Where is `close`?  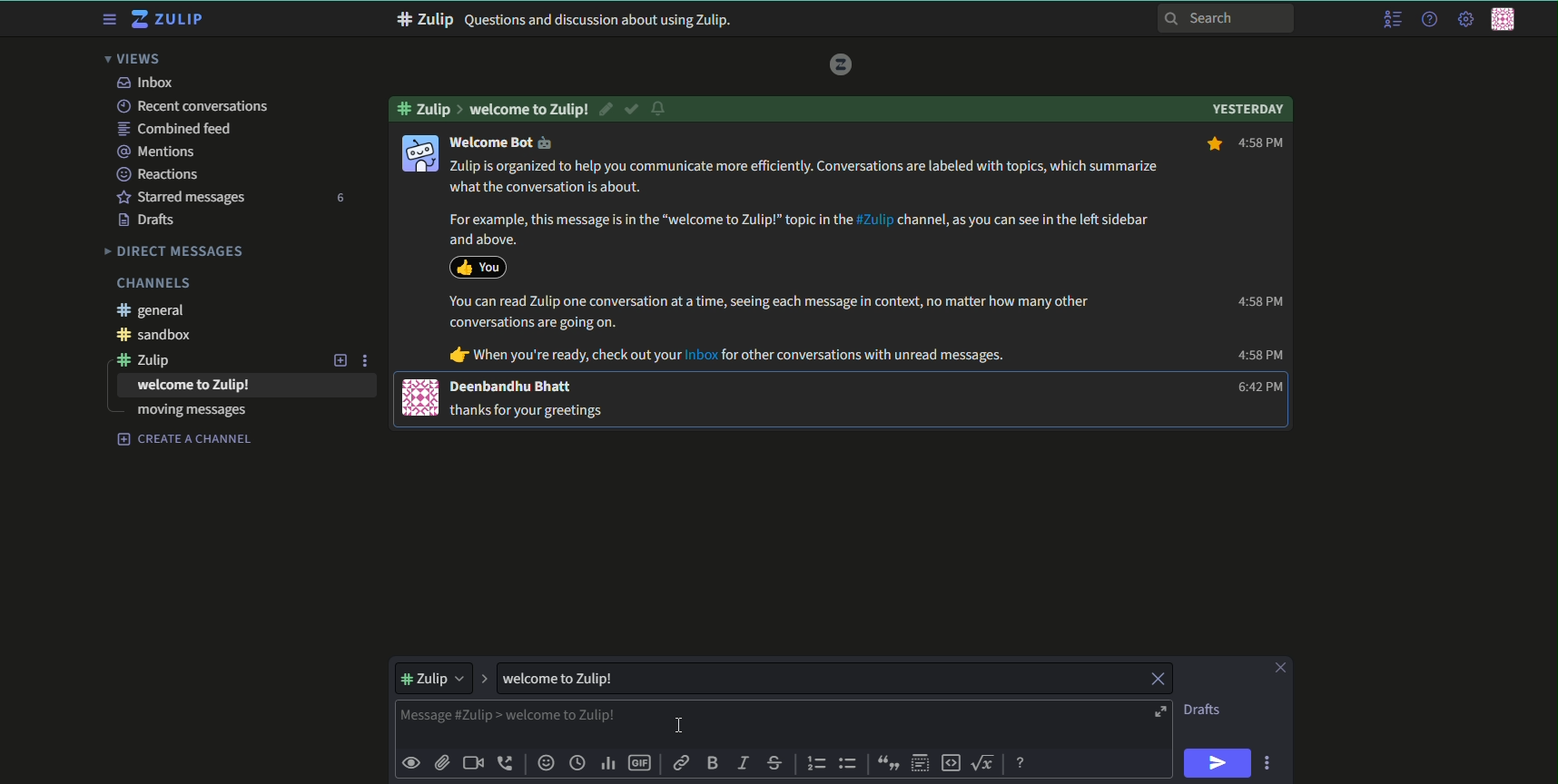 close is located at coordinates (1278, 668).